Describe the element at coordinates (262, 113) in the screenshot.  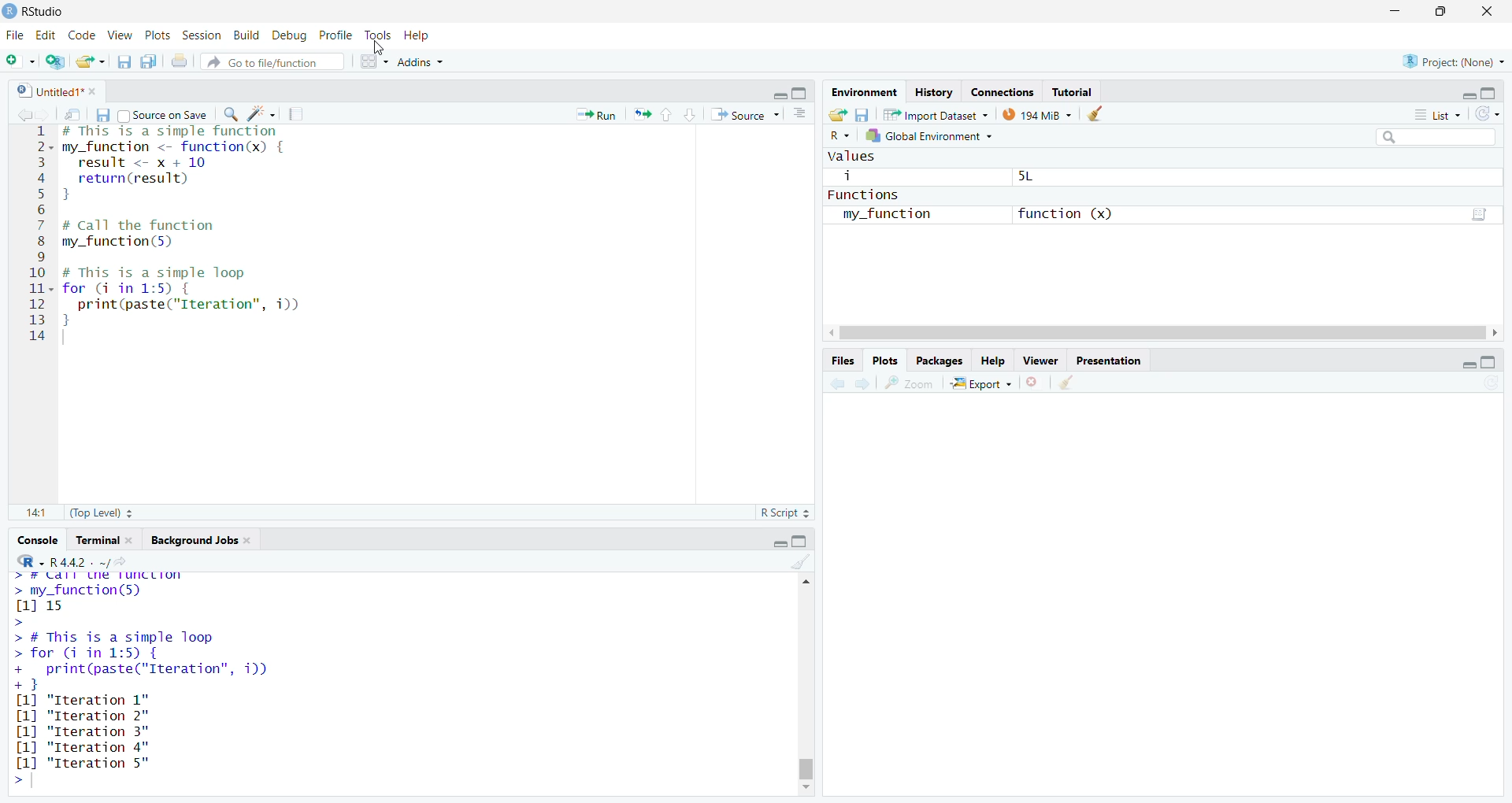
I see `code tools` at that location.